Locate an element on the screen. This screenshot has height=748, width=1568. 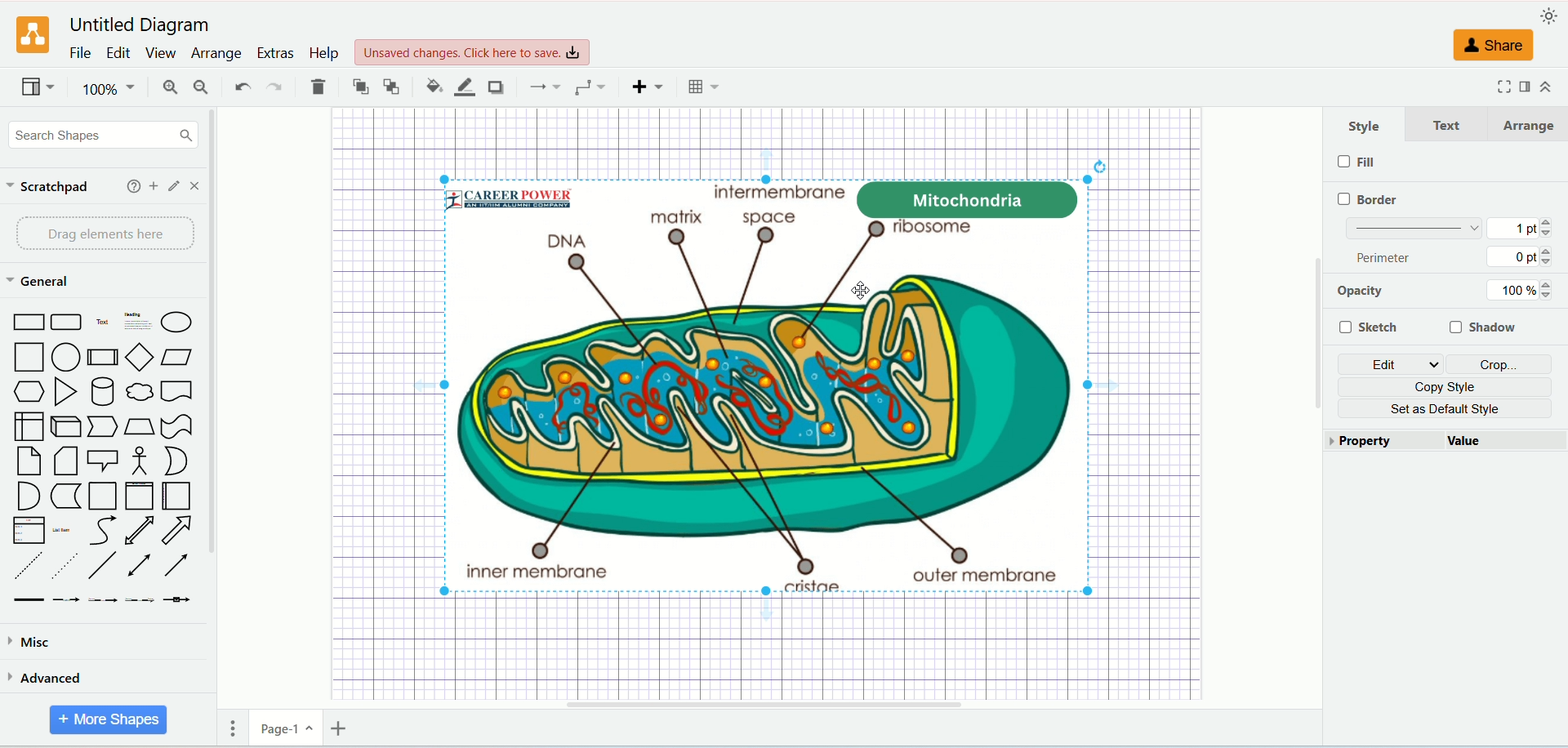
Document  is located at coordinates (178, 394).